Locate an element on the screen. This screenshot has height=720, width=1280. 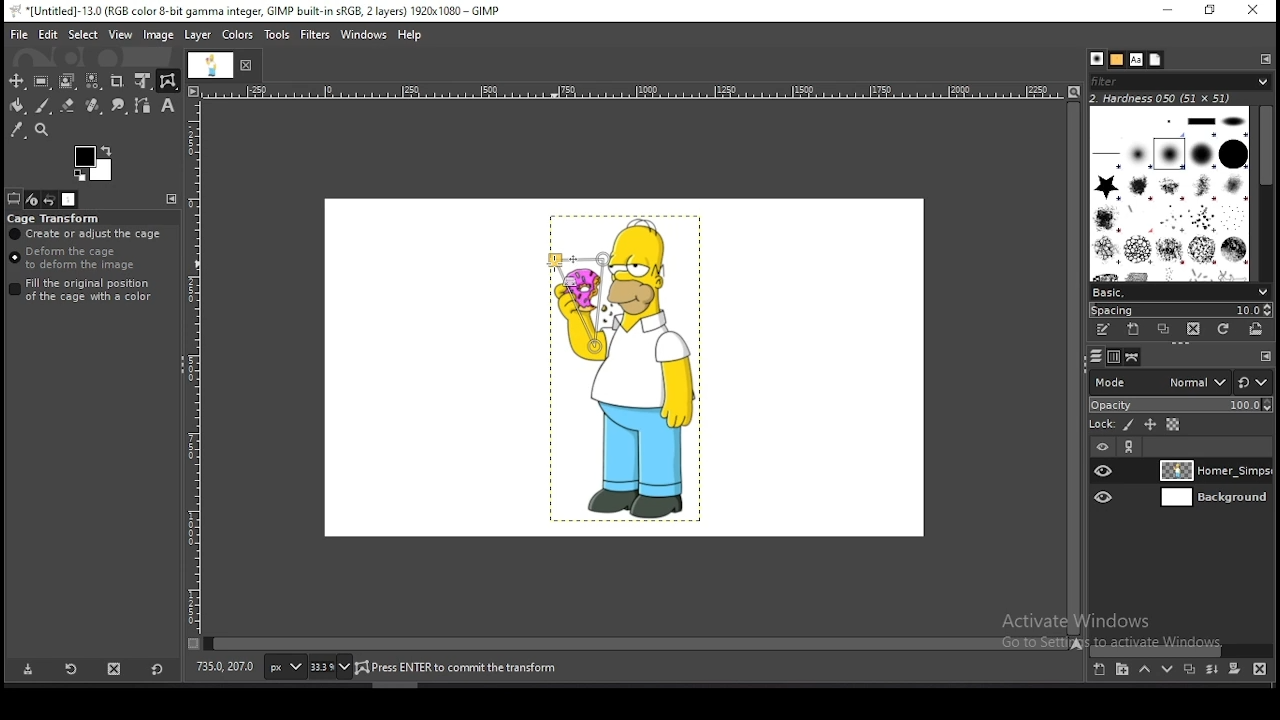
document history is located at coordinates (1155, 60).